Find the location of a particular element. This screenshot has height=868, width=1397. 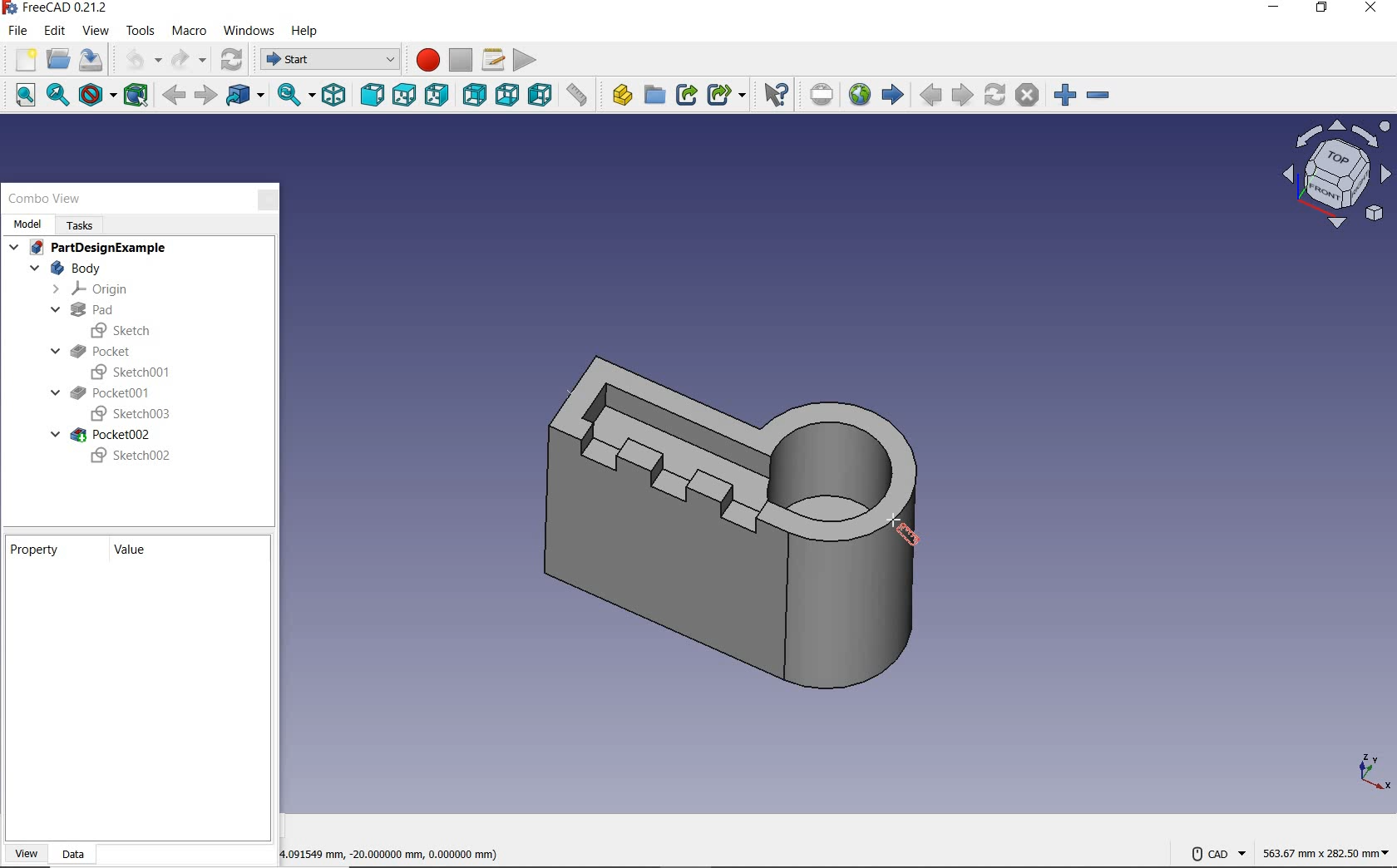

save is located at coordinates (93, 62).